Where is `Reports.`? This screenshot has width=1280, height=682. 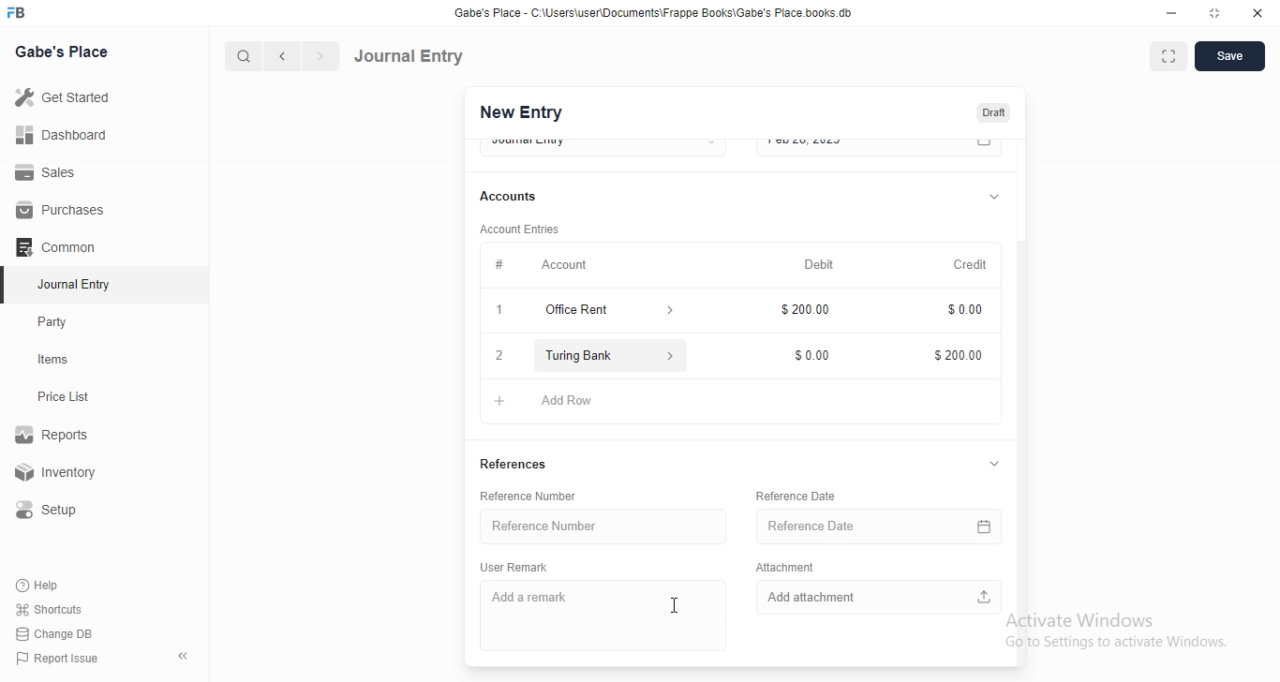
Reports. is located at coordinates (55, 438).